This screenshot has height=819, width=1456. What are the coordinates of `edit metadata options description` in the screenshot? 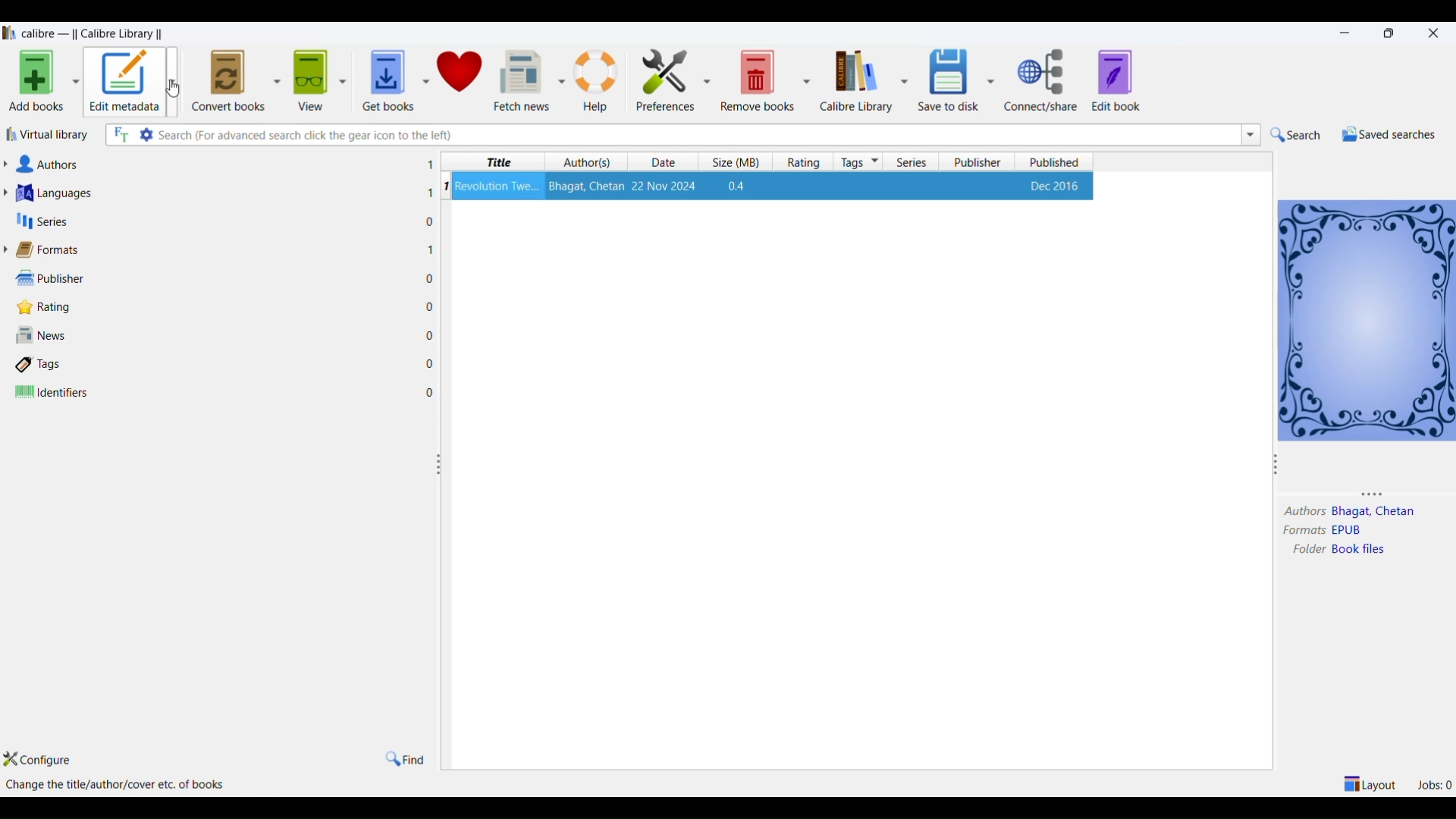 It's located at (122, 785).